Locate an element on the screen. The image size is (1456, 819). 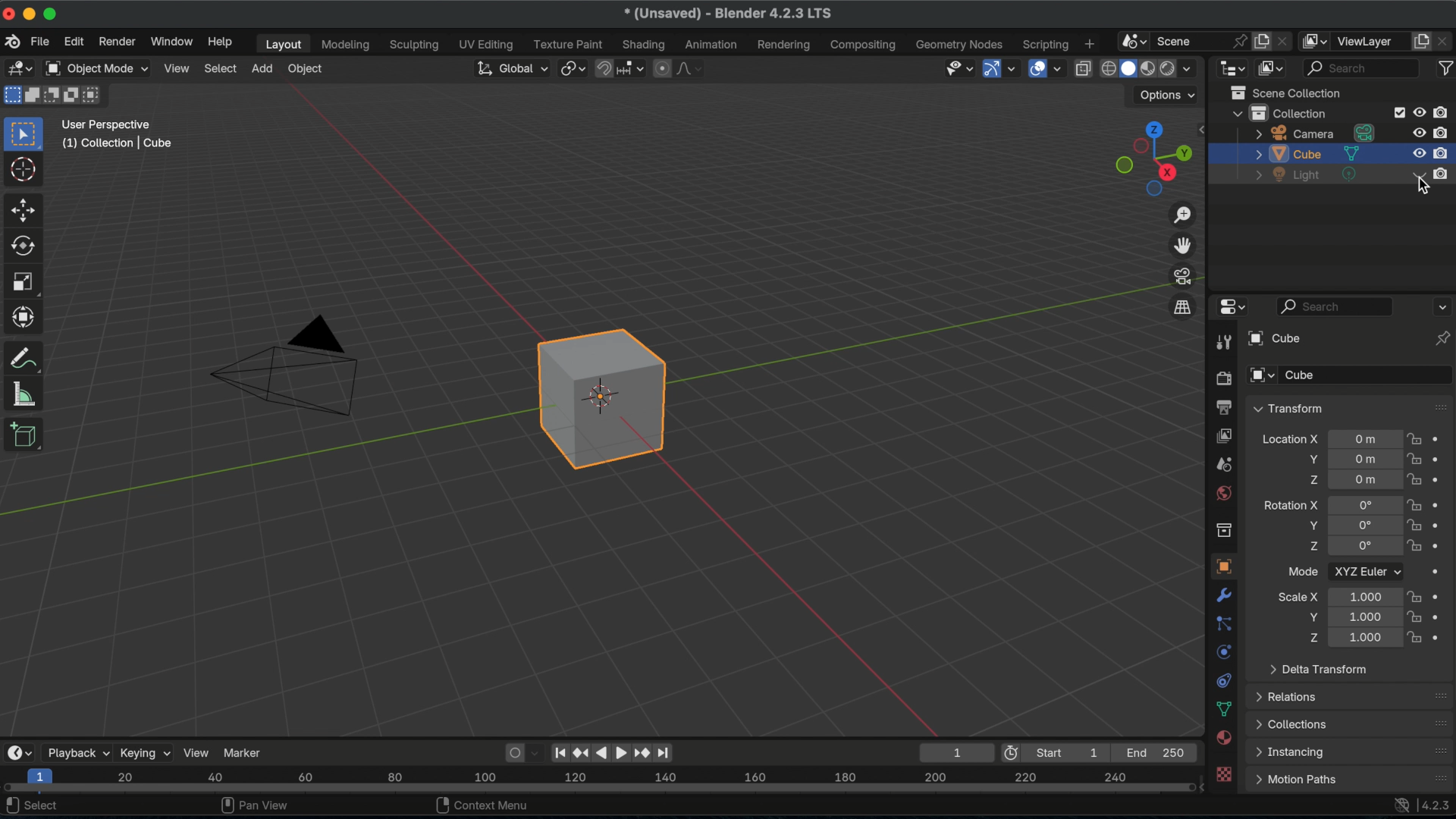
pin scene to workspace is located at coordinates (1239, 39).